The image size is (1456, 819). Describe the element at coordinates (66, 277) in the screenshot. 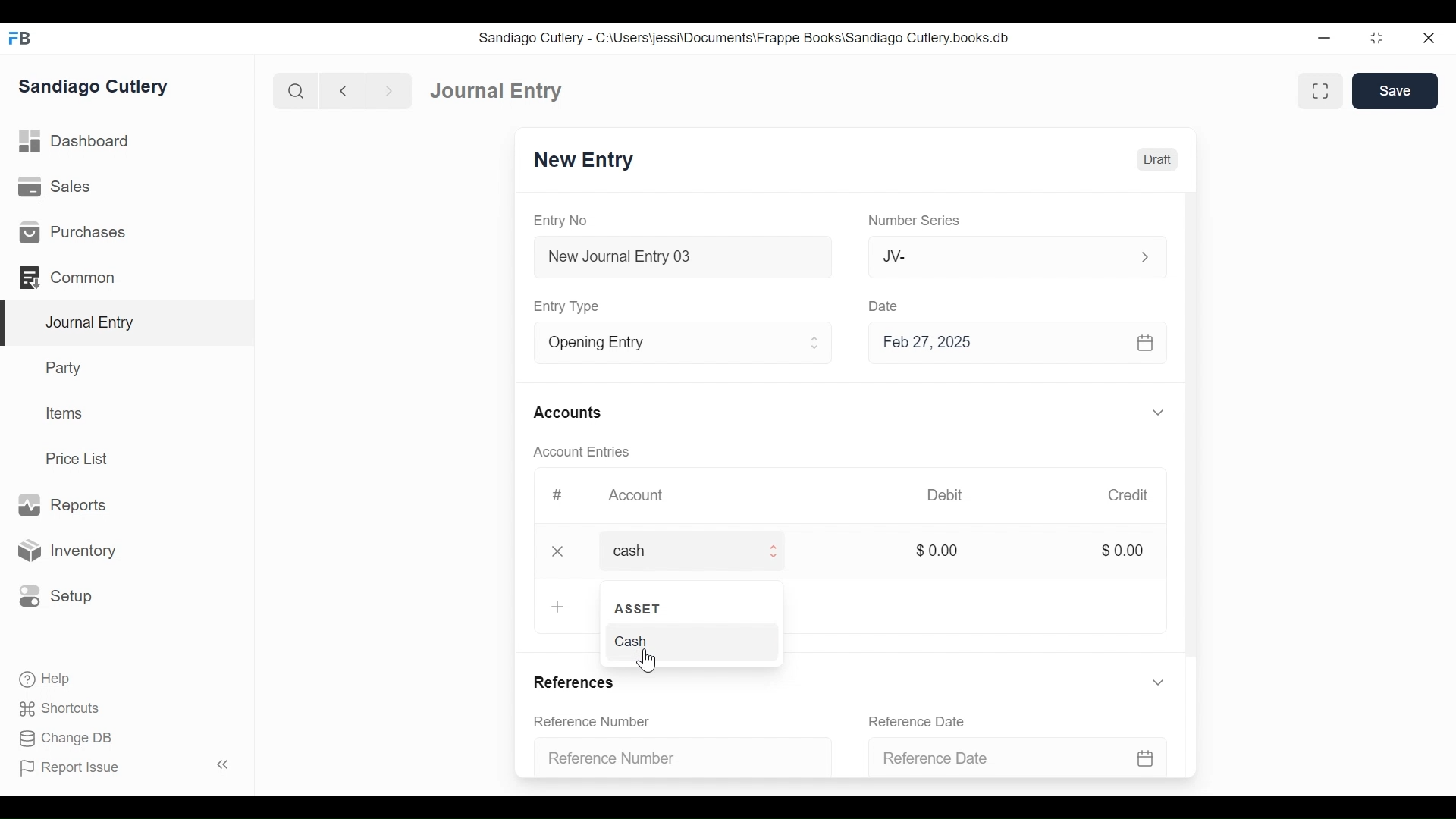

I see `Commons` at that location.